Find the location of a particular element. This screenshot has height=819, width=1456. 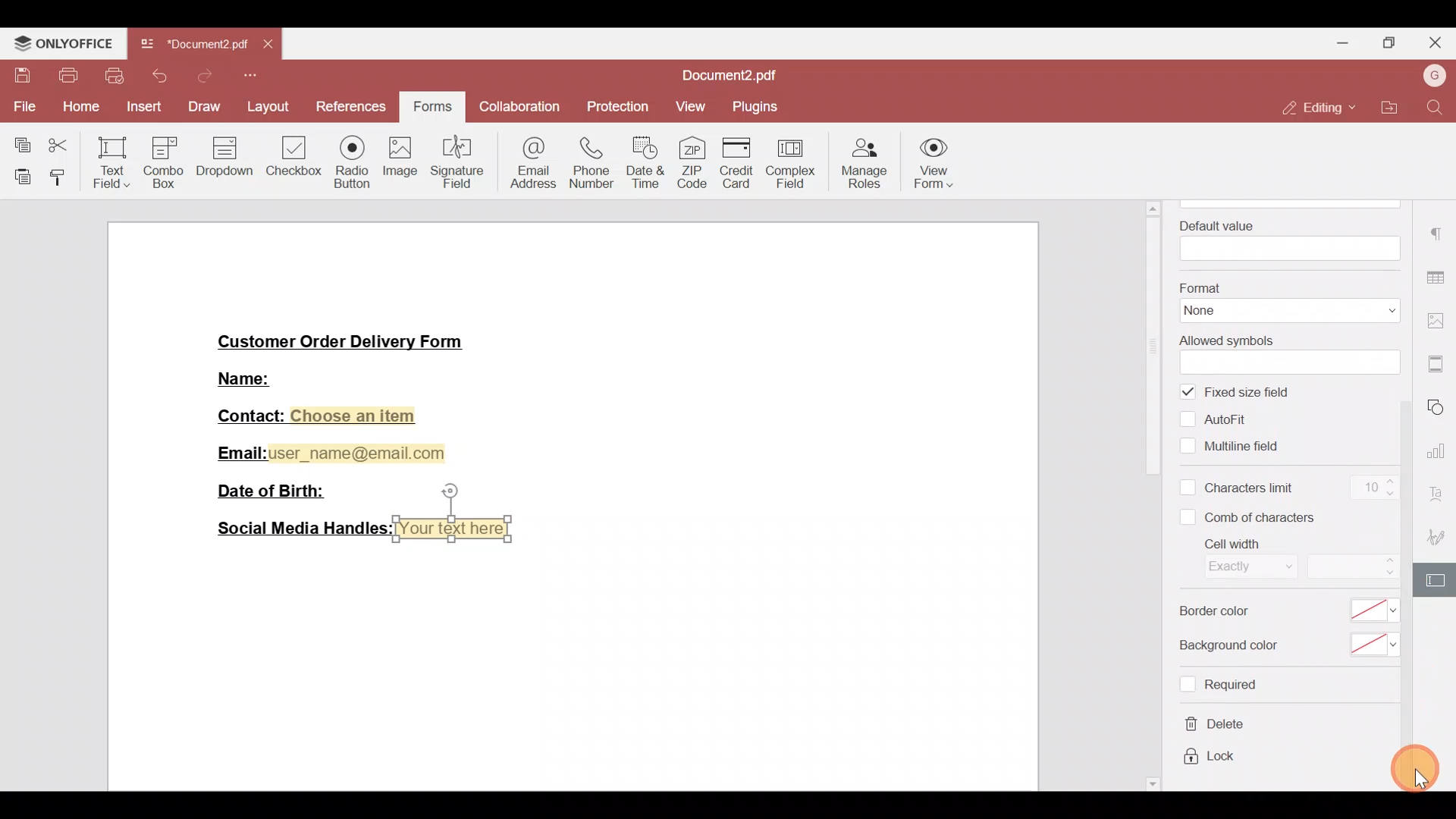

Protection is located at coordinates (614, 108).